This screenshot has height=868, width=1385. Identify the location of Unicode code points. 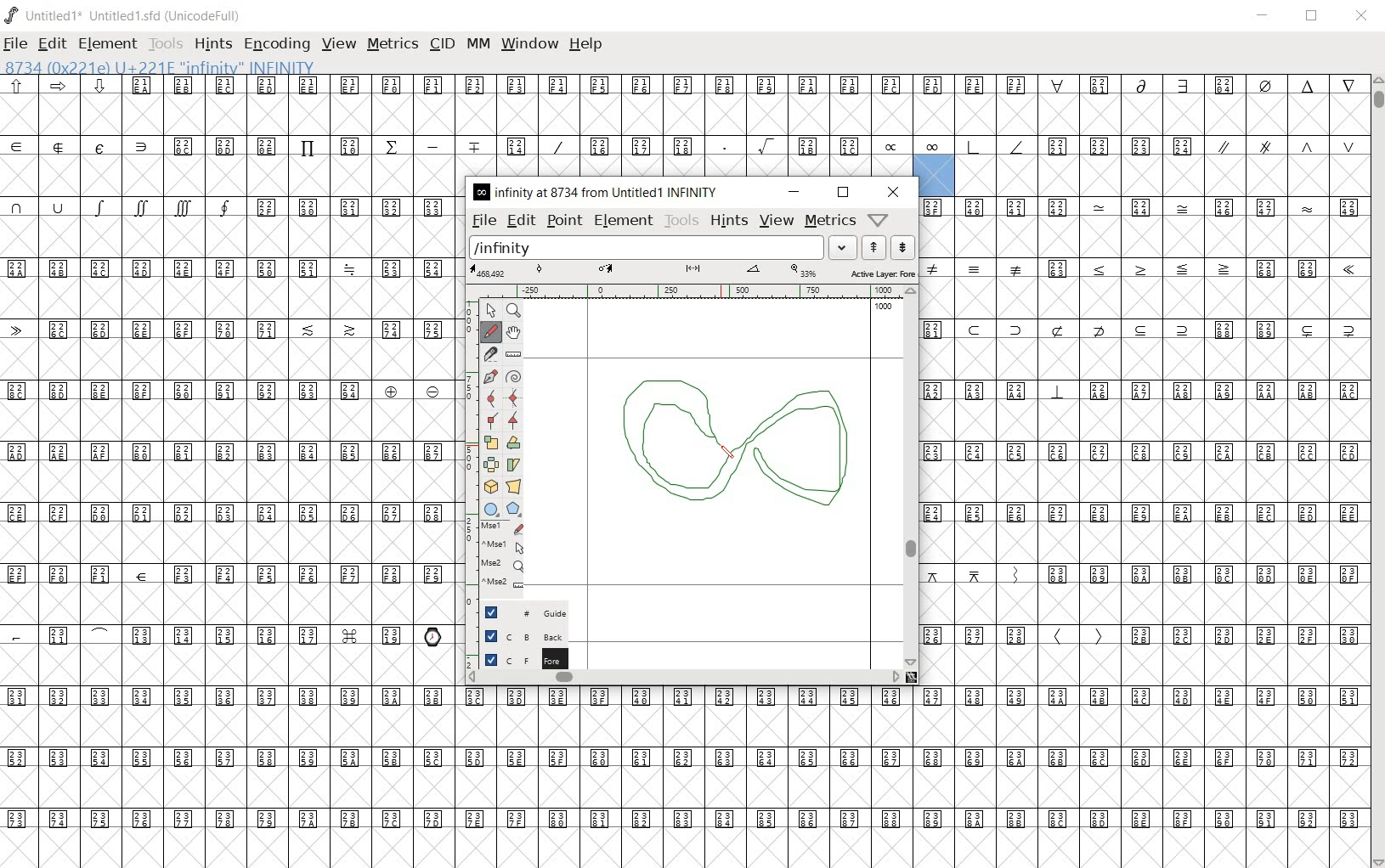
(1145, 513).